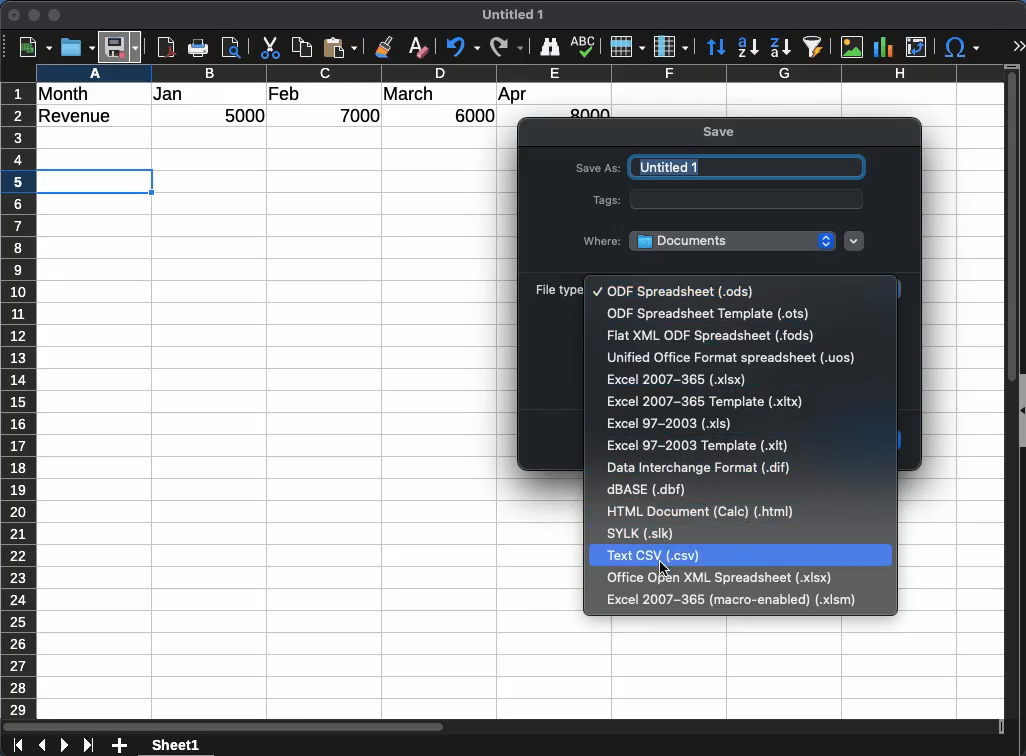 The width and height of the screenshot is (1026, 756). I want to click on finder, so click(550, 47).